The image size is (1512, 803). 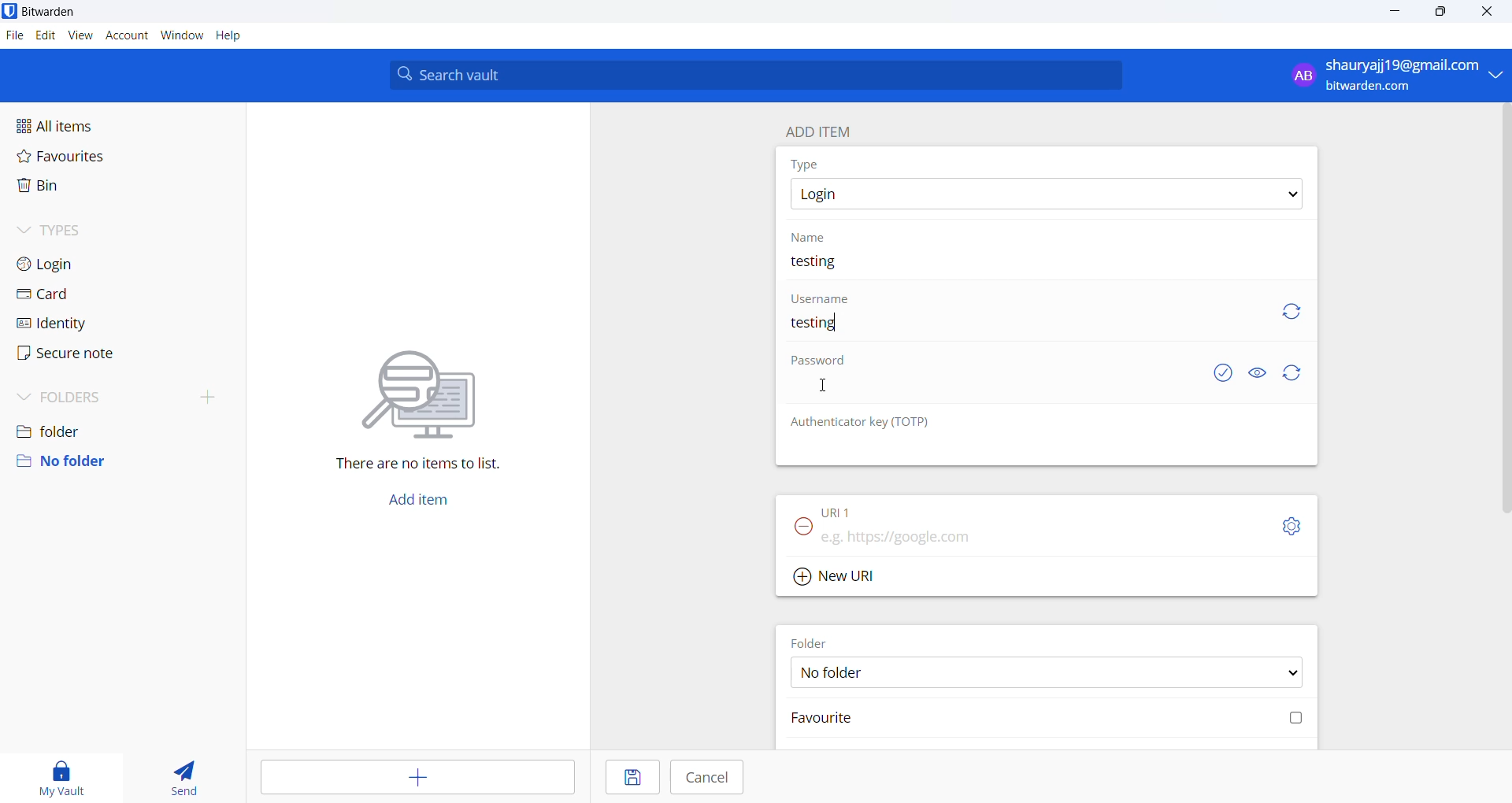 I want to click on no folder, so click(x=117, y=461).